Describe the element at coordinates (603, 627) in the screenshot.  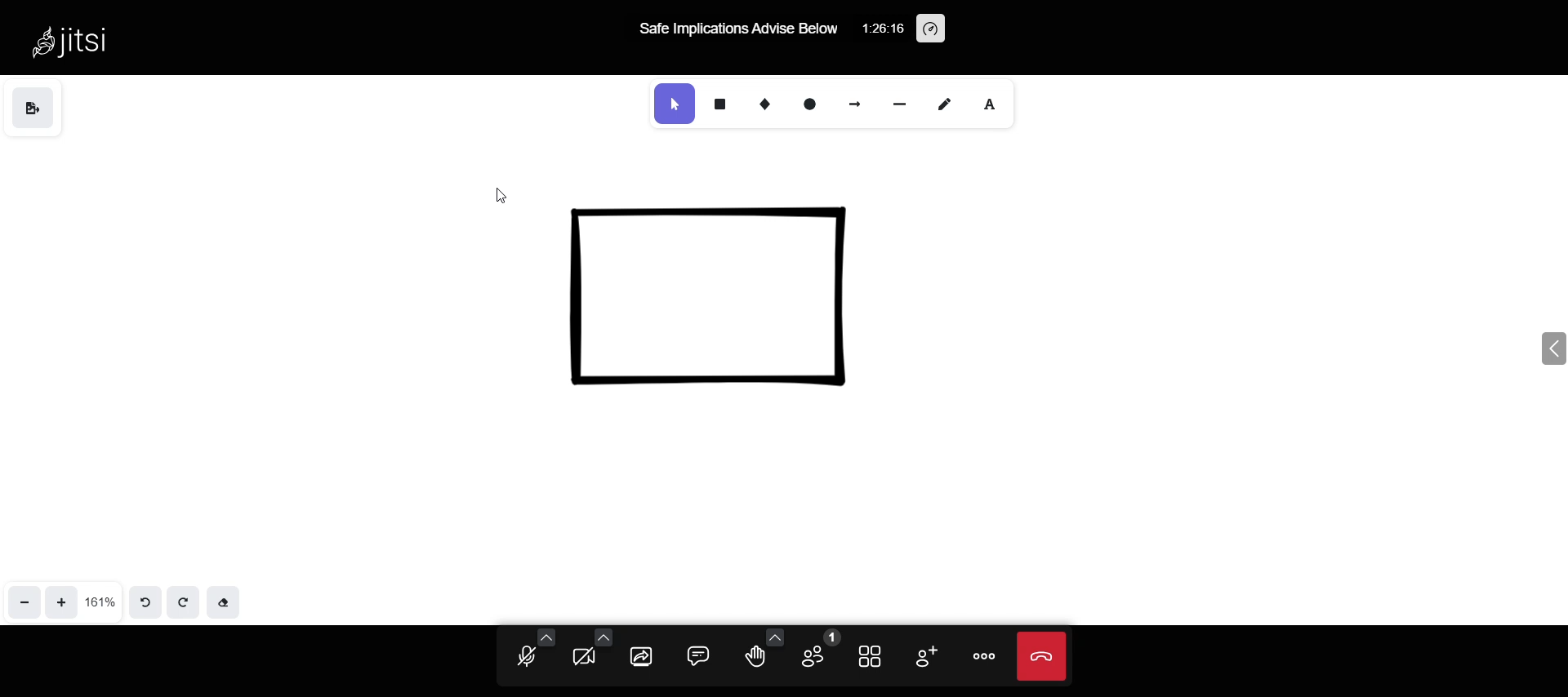
I see `video setting` at that location.